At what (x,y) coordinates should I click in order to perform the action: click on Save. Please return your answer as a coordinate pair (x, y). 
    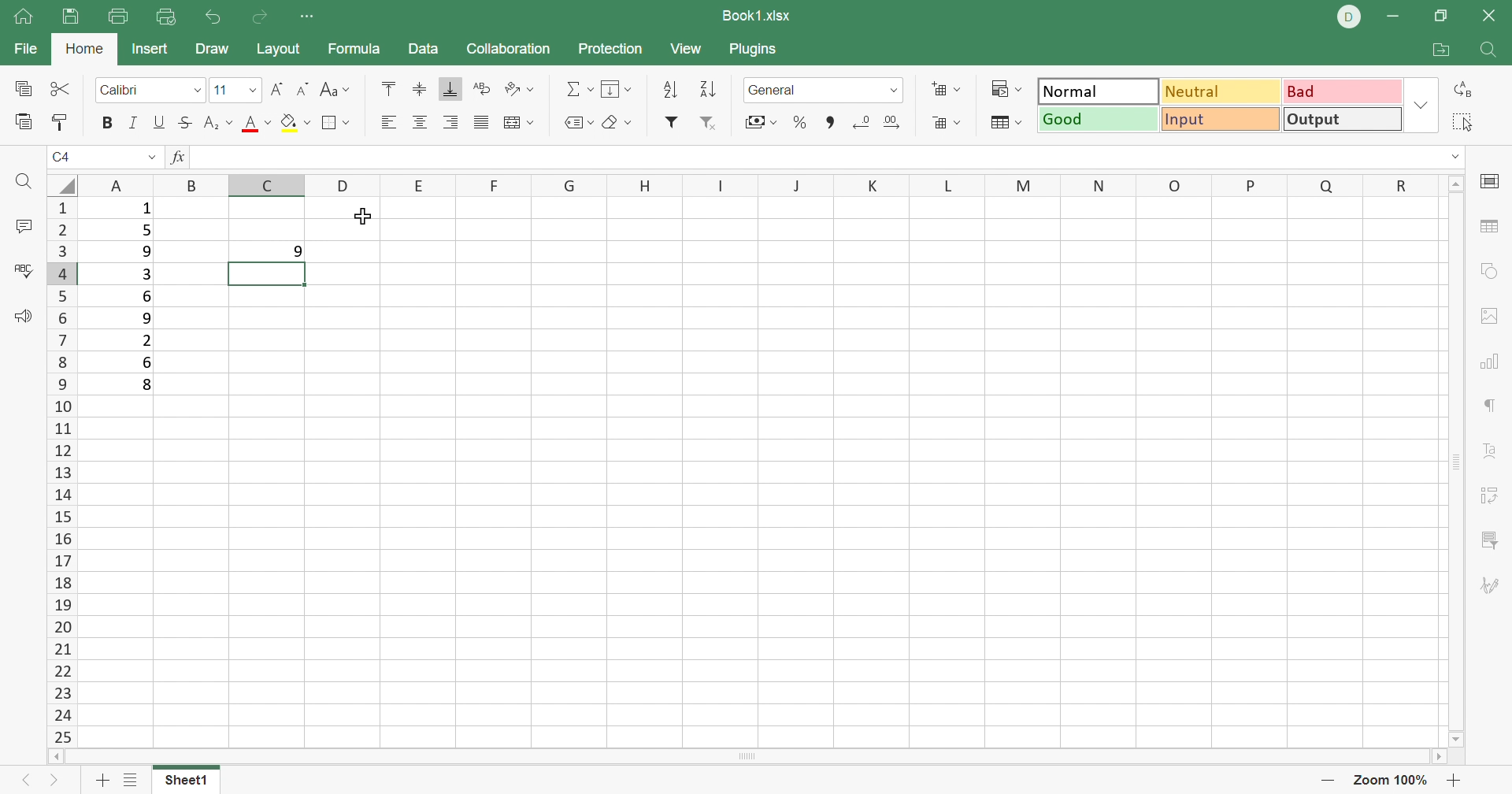
    Looking at the image, I should click on (72, 17).